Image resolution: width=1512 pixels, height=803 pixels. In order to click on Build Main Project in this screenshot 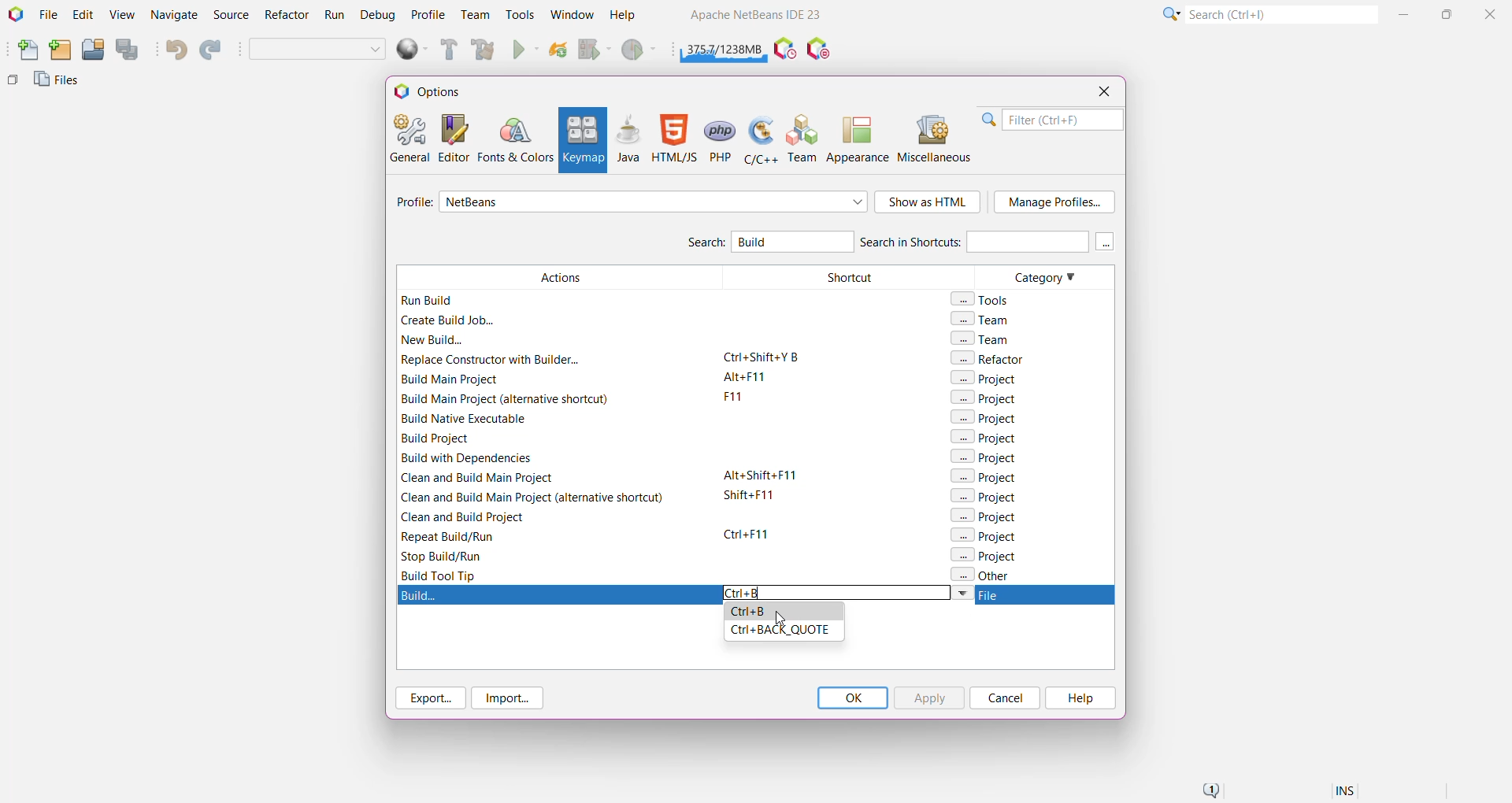, I will do `click(447, 50)`.